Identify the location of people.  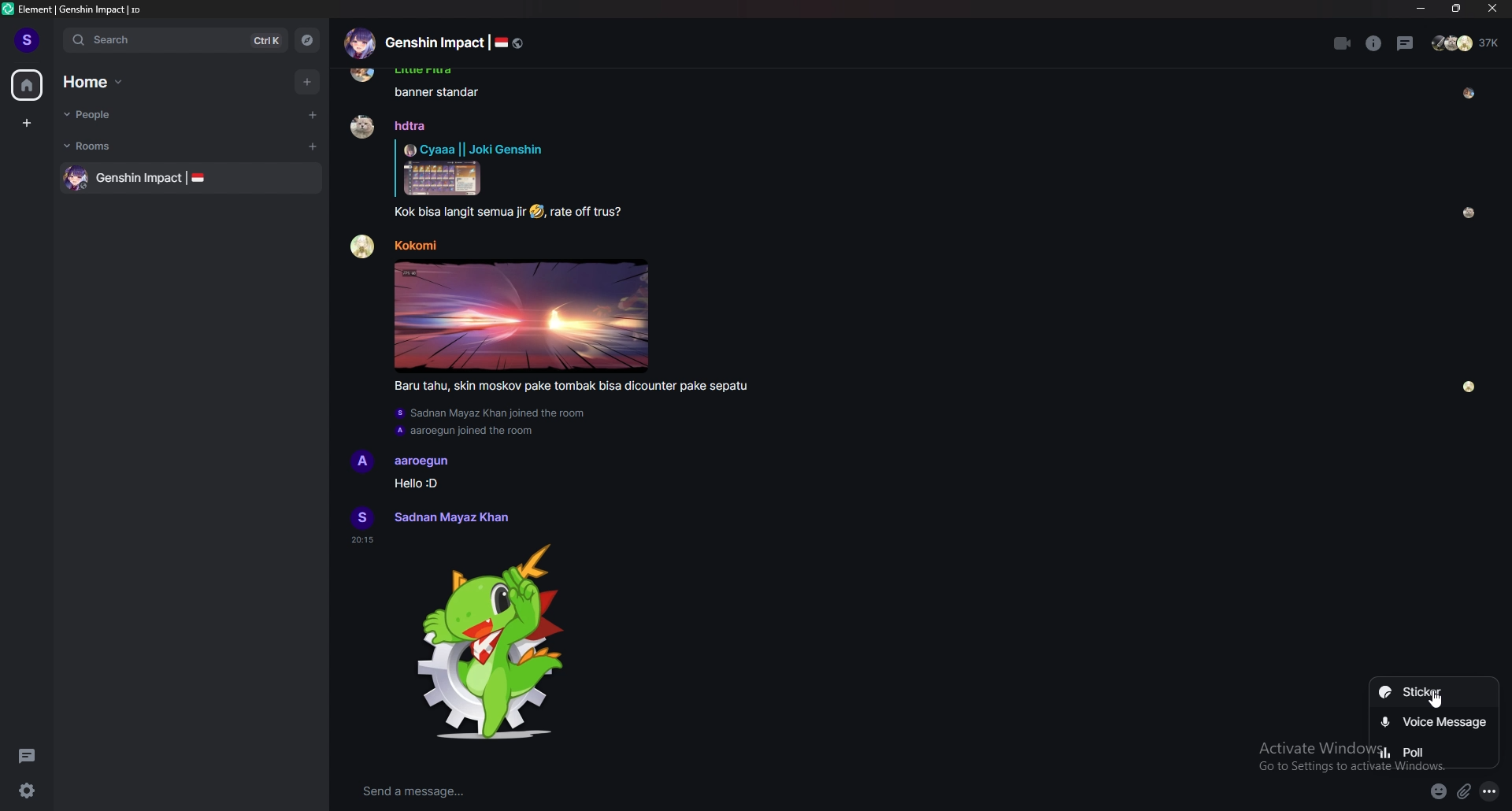
(111, 114).